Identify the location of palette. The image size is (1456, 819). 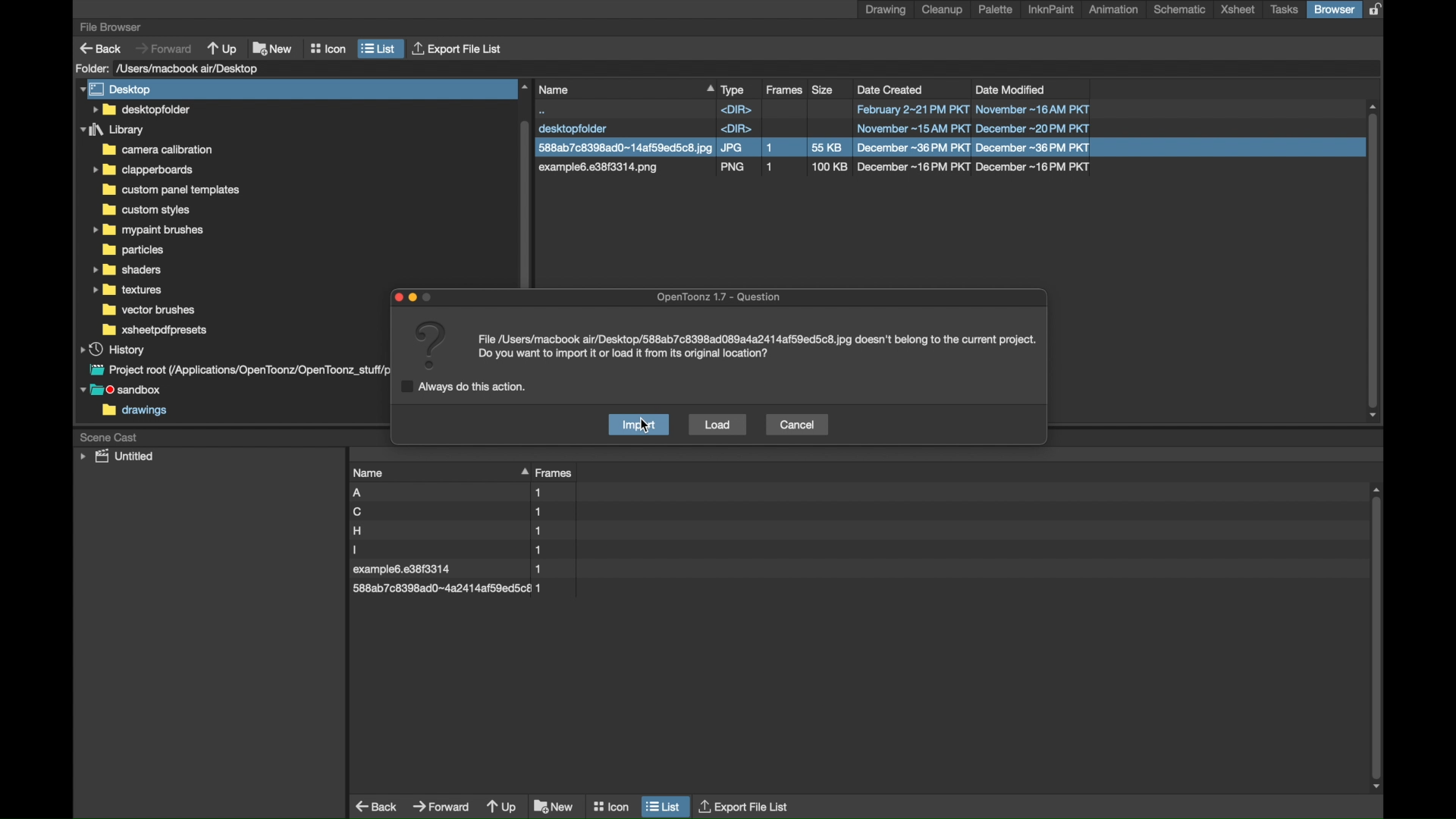
(996, 9).